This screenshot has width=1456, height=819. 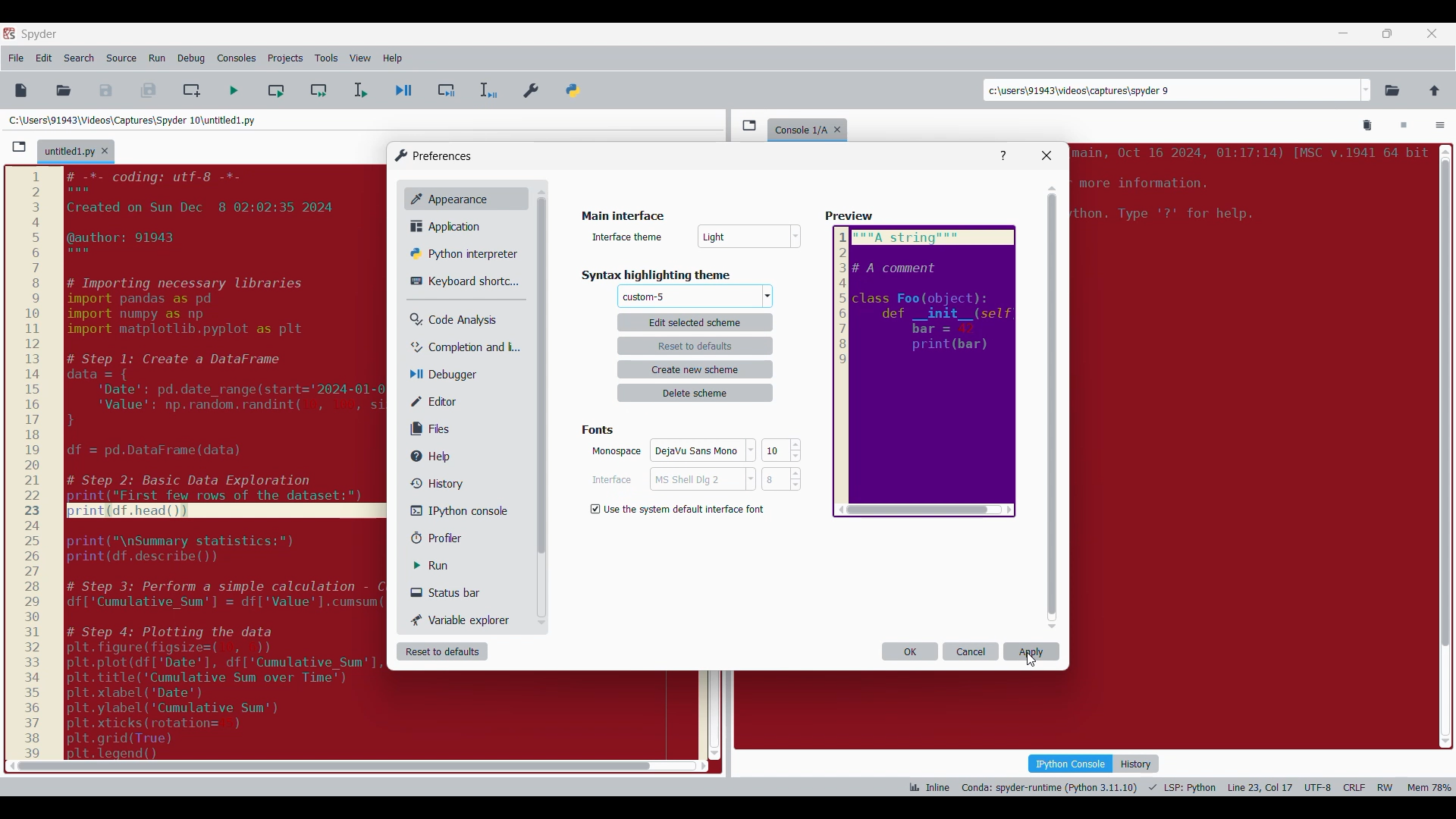 What do you see at coordinates (695, 345) in the screenshot?
I see `reset to defaults` at bounding box center [695, 345].